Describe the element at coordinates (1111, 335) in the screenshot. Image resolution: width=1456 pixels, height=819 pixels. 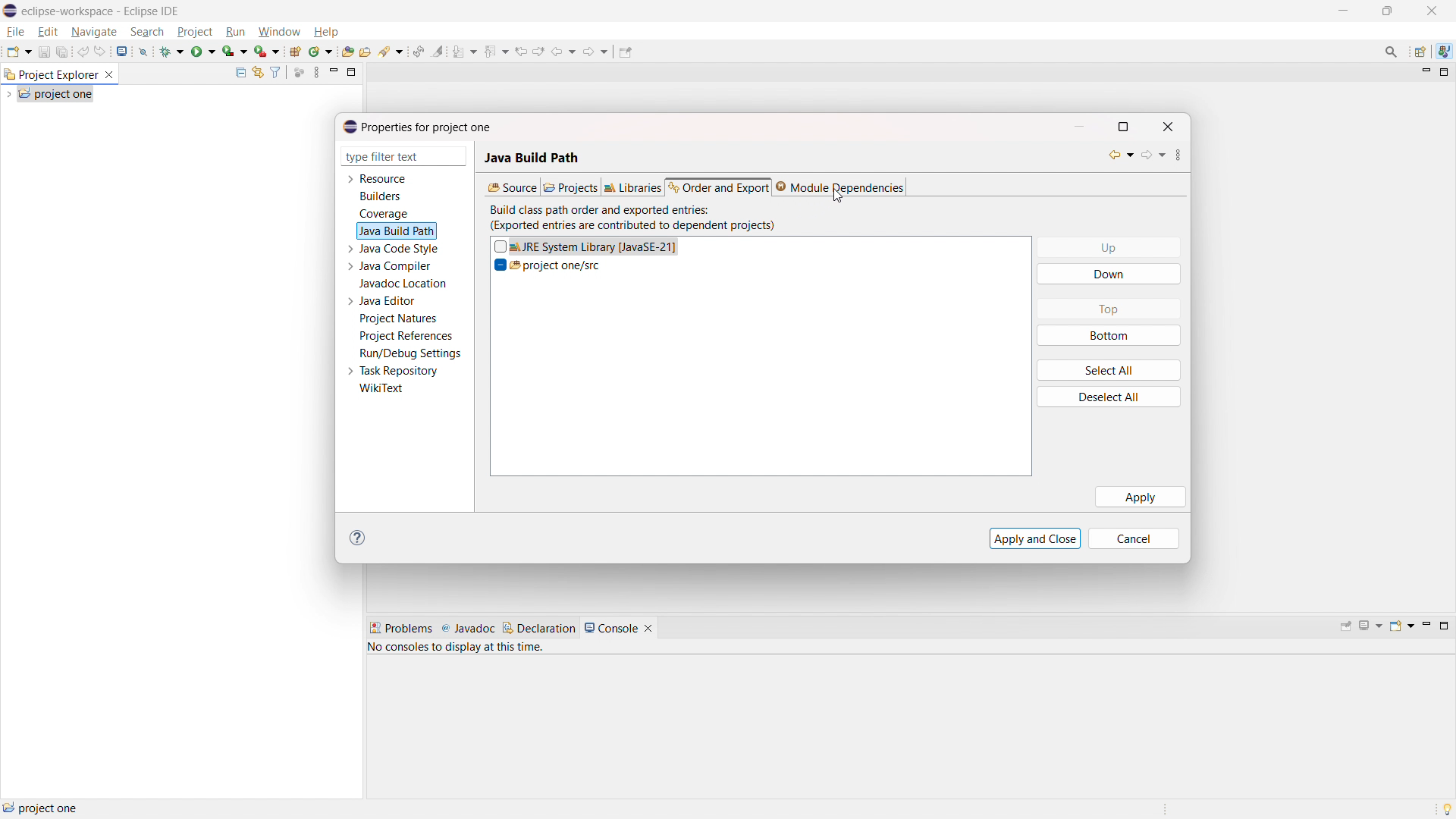
I see `bottom` at that location.